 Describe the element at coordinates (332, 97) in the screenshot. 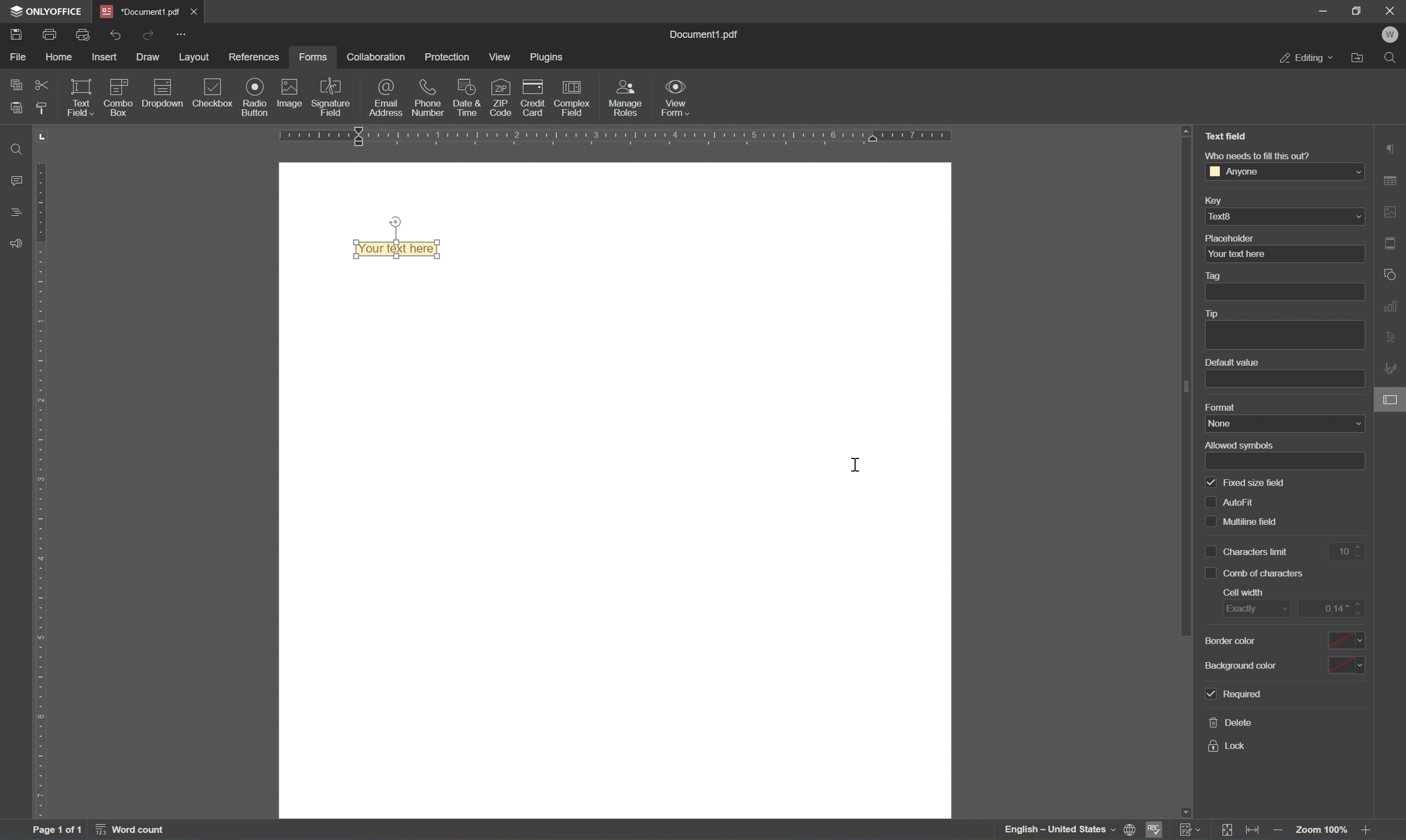

I see `signature field` at that location.